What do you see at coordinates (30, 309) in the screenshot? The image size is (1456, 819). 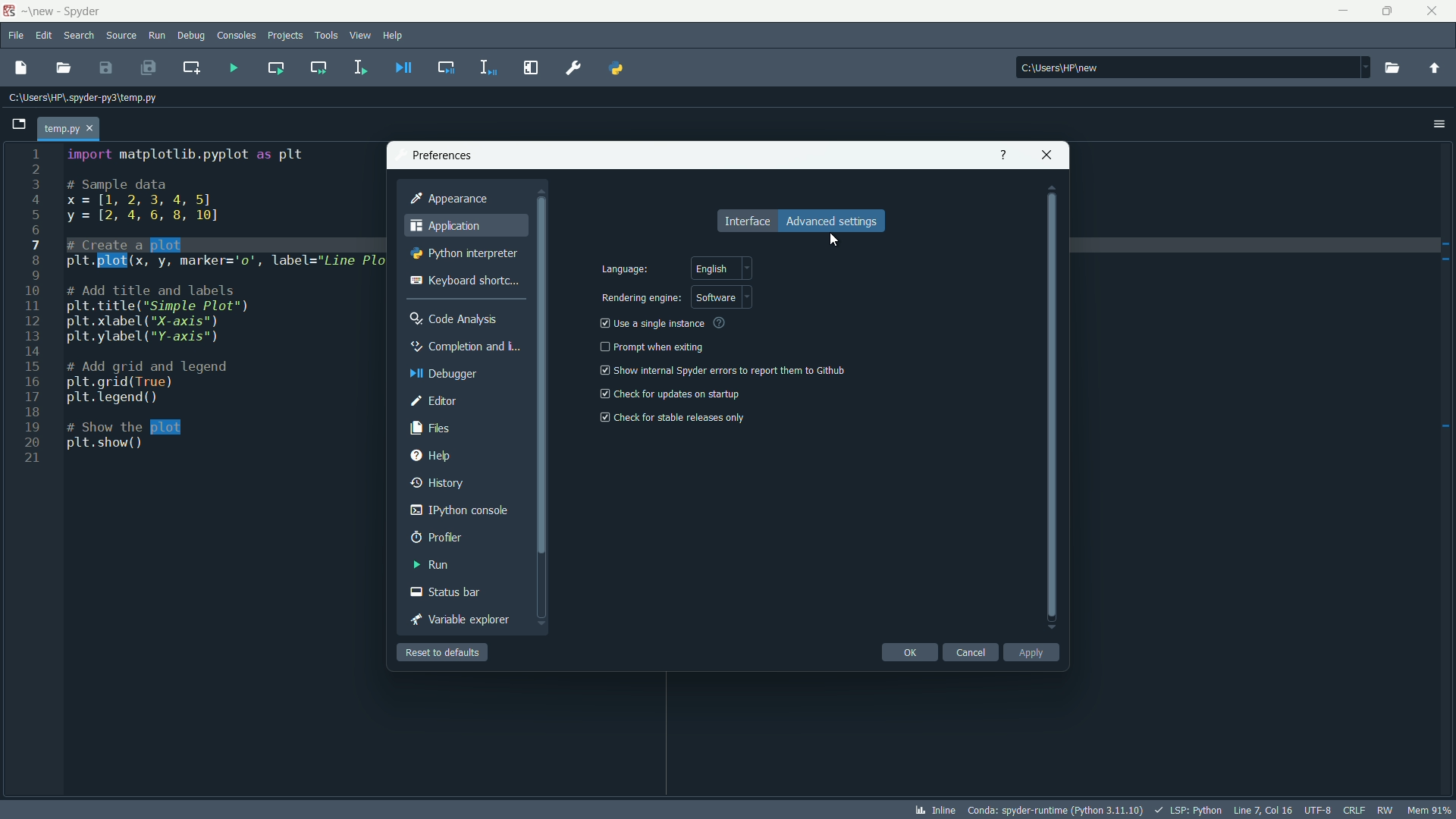 I see `line numbers` at bounding box center [30, 309].